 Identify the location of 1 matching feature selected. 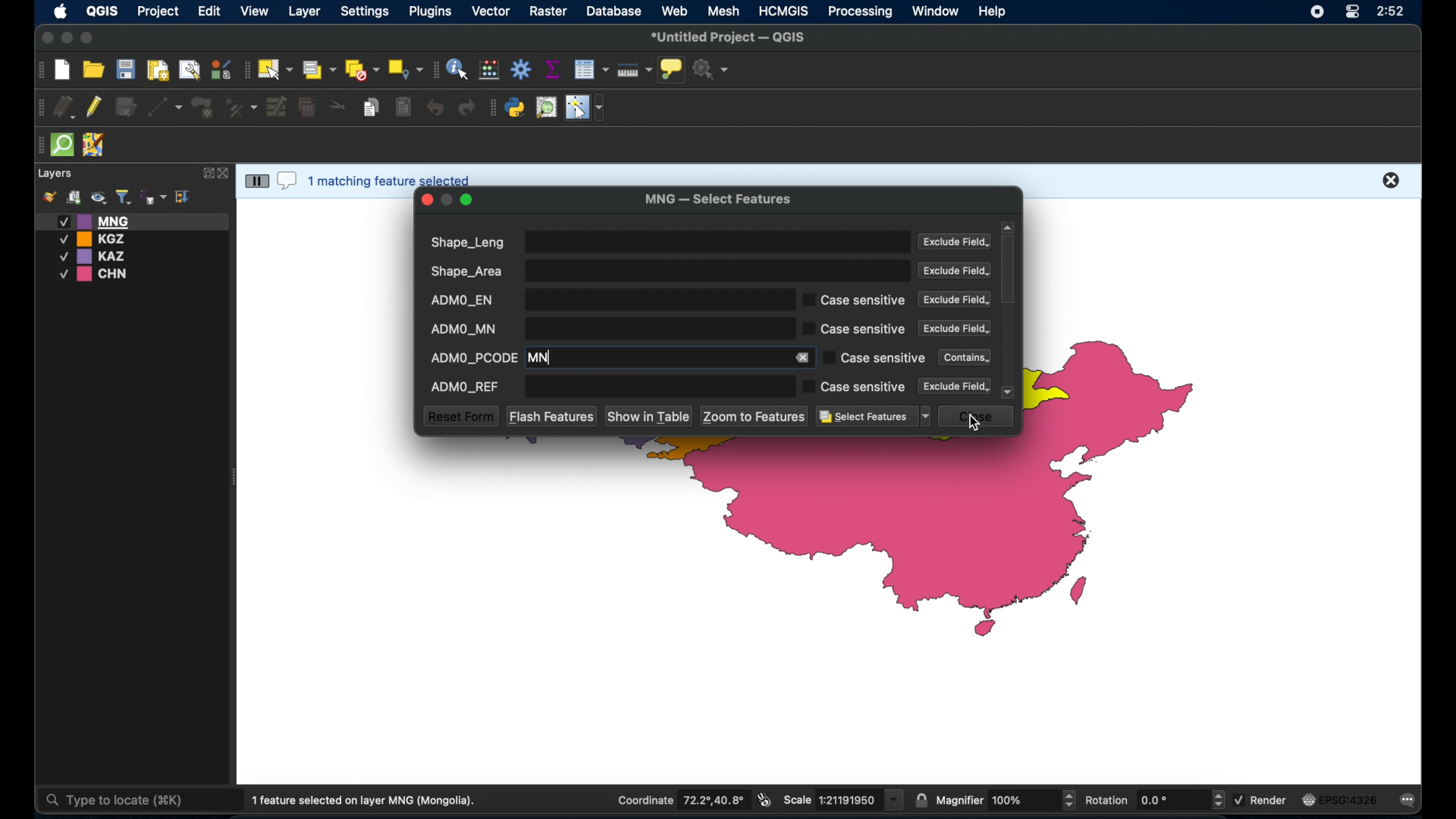
(393, 179).